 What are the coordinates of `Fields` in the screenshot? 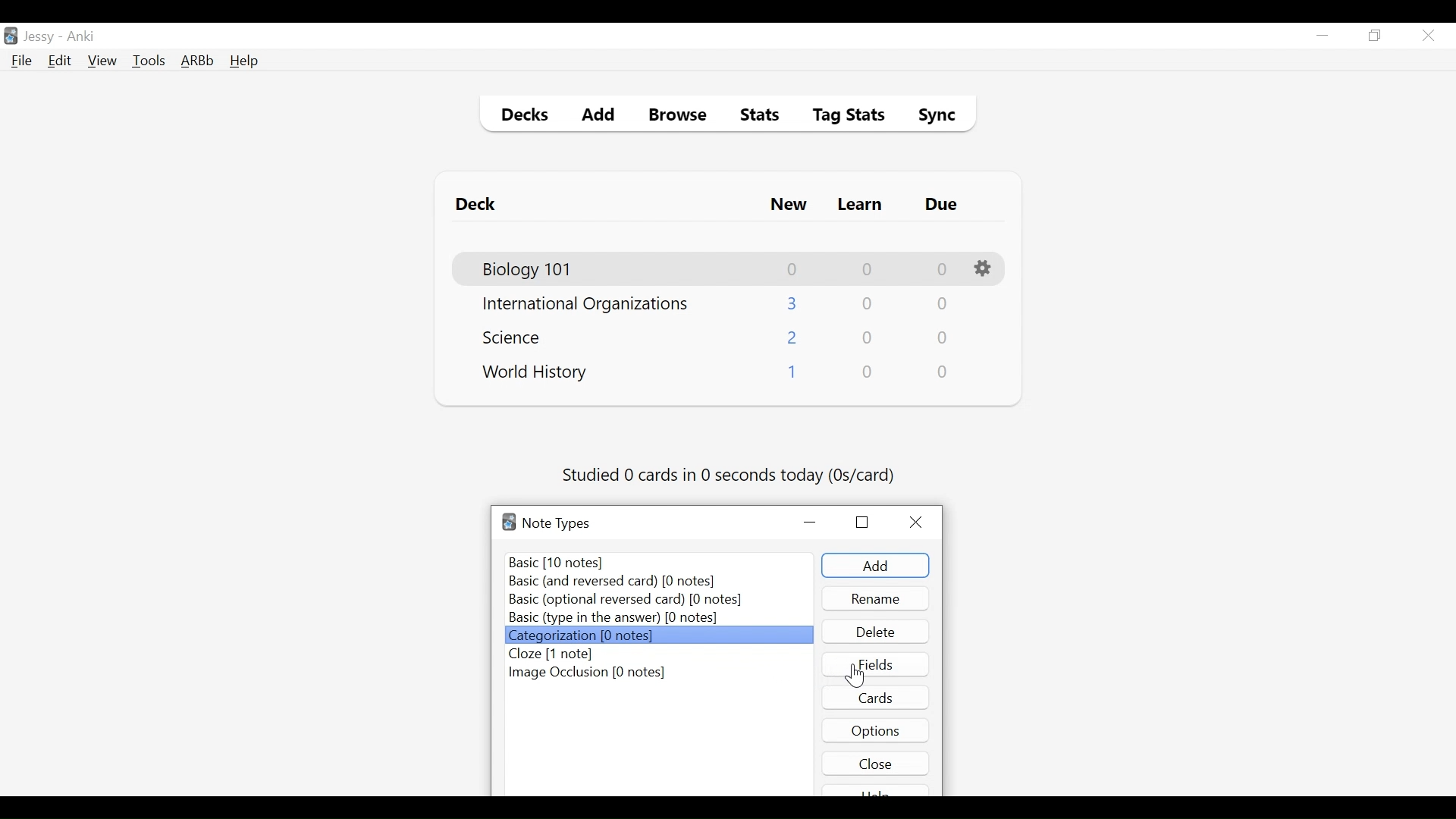 It's located at (876, 664).